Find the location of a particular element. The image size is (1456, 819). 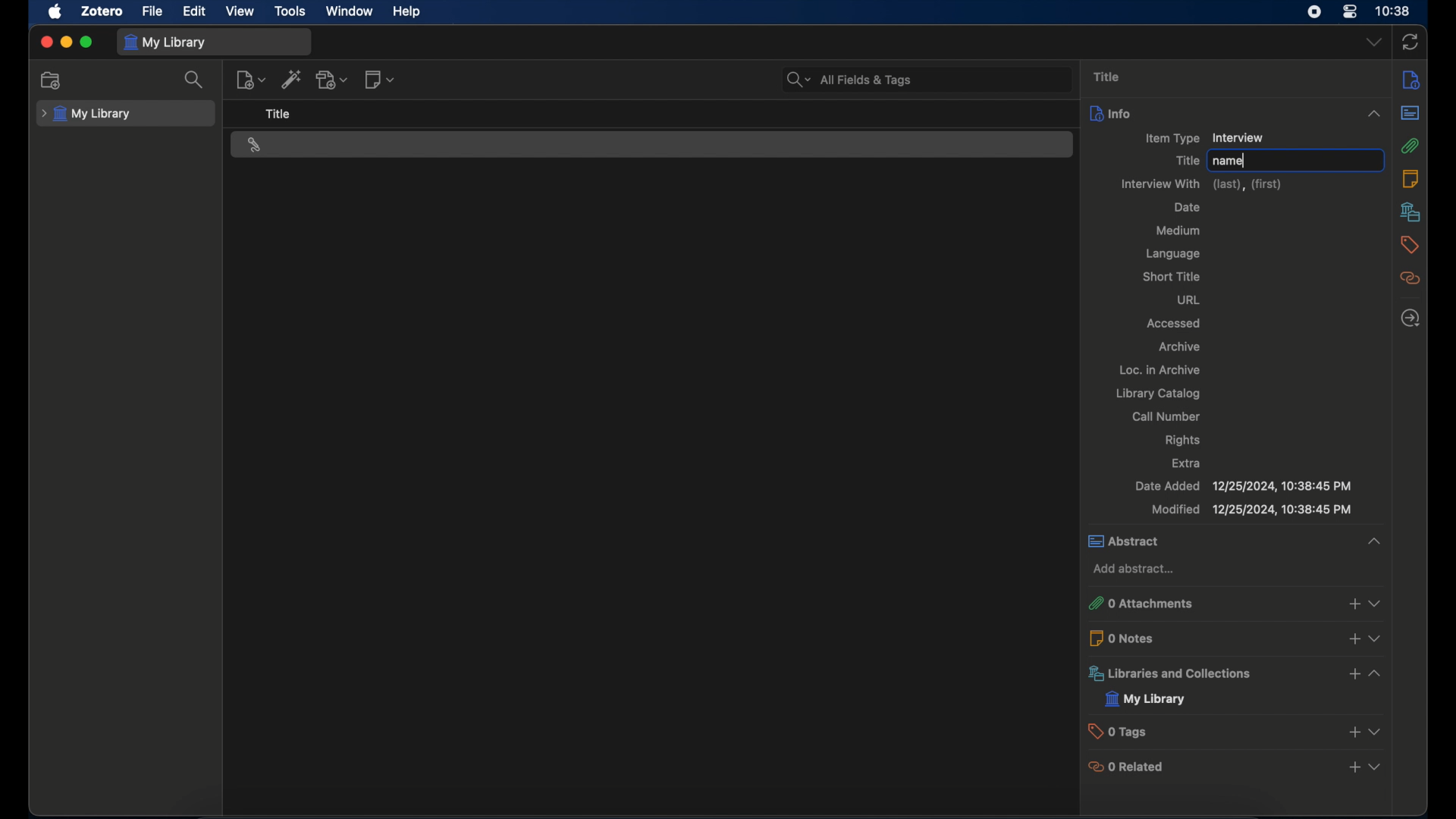

interview is located at coordinates (254, 146).